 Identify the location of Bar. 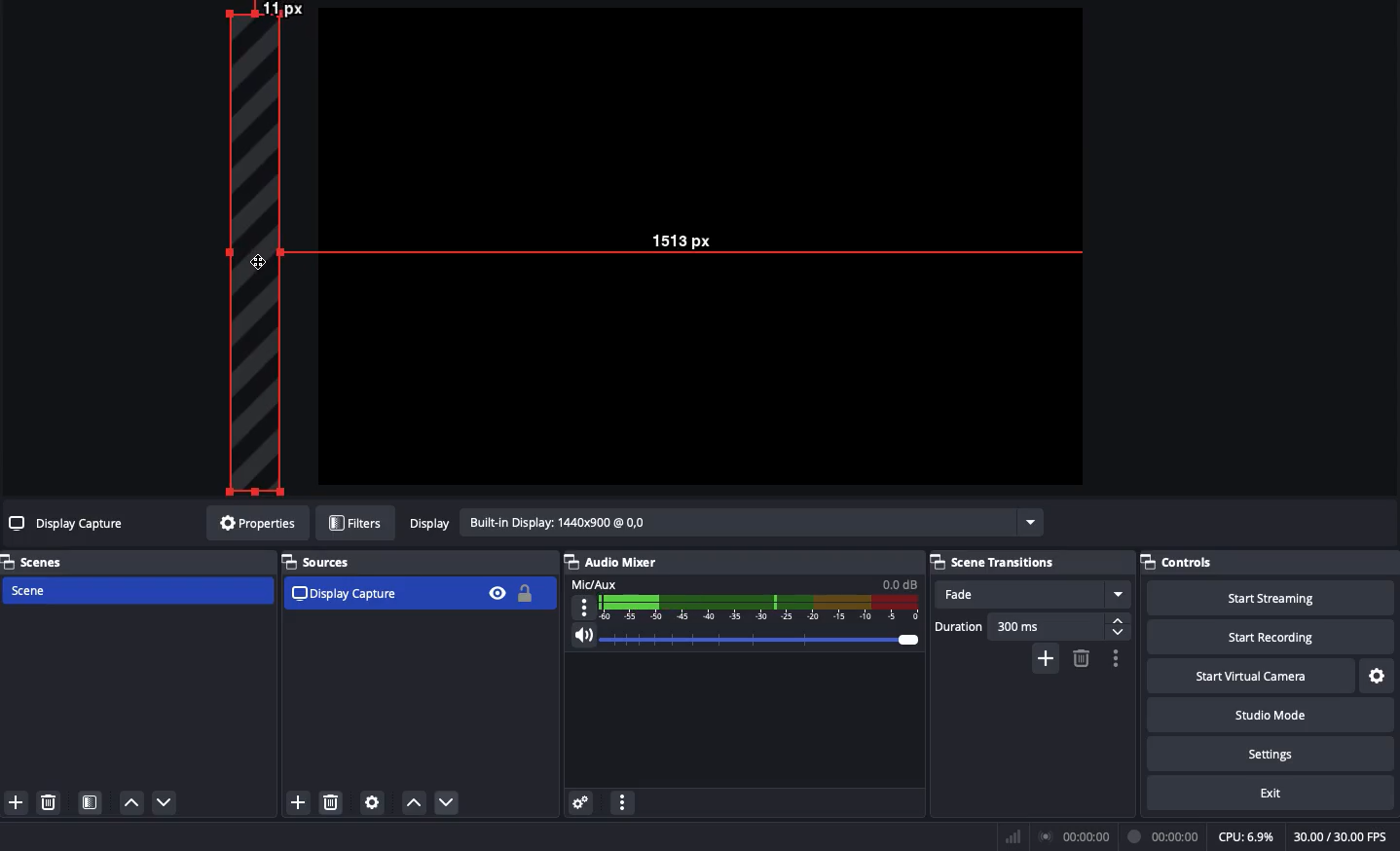
(1013, 836).